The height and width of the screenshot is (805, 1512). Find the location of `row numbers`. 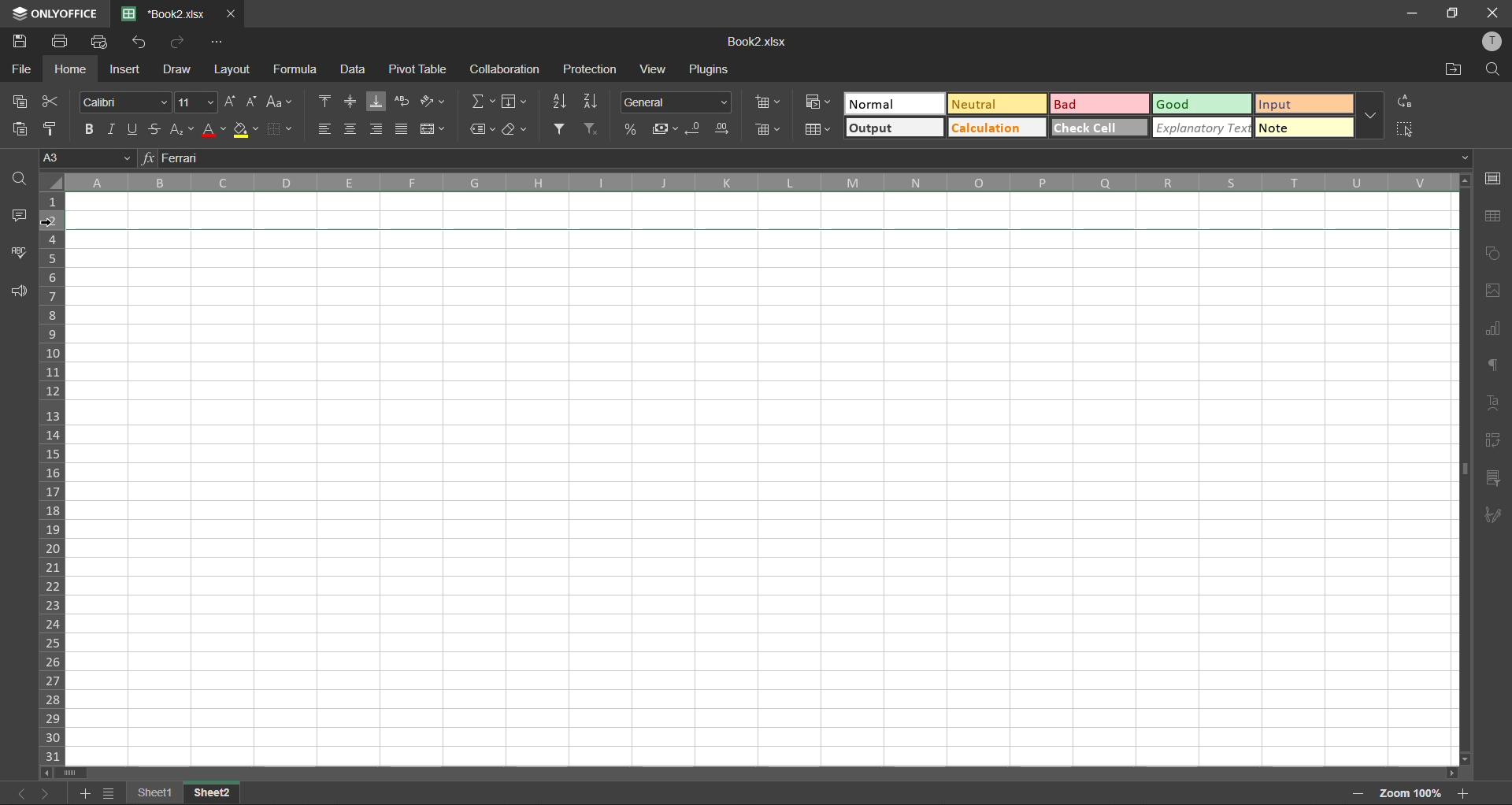

row numbers is located at coordinates (55, 480).